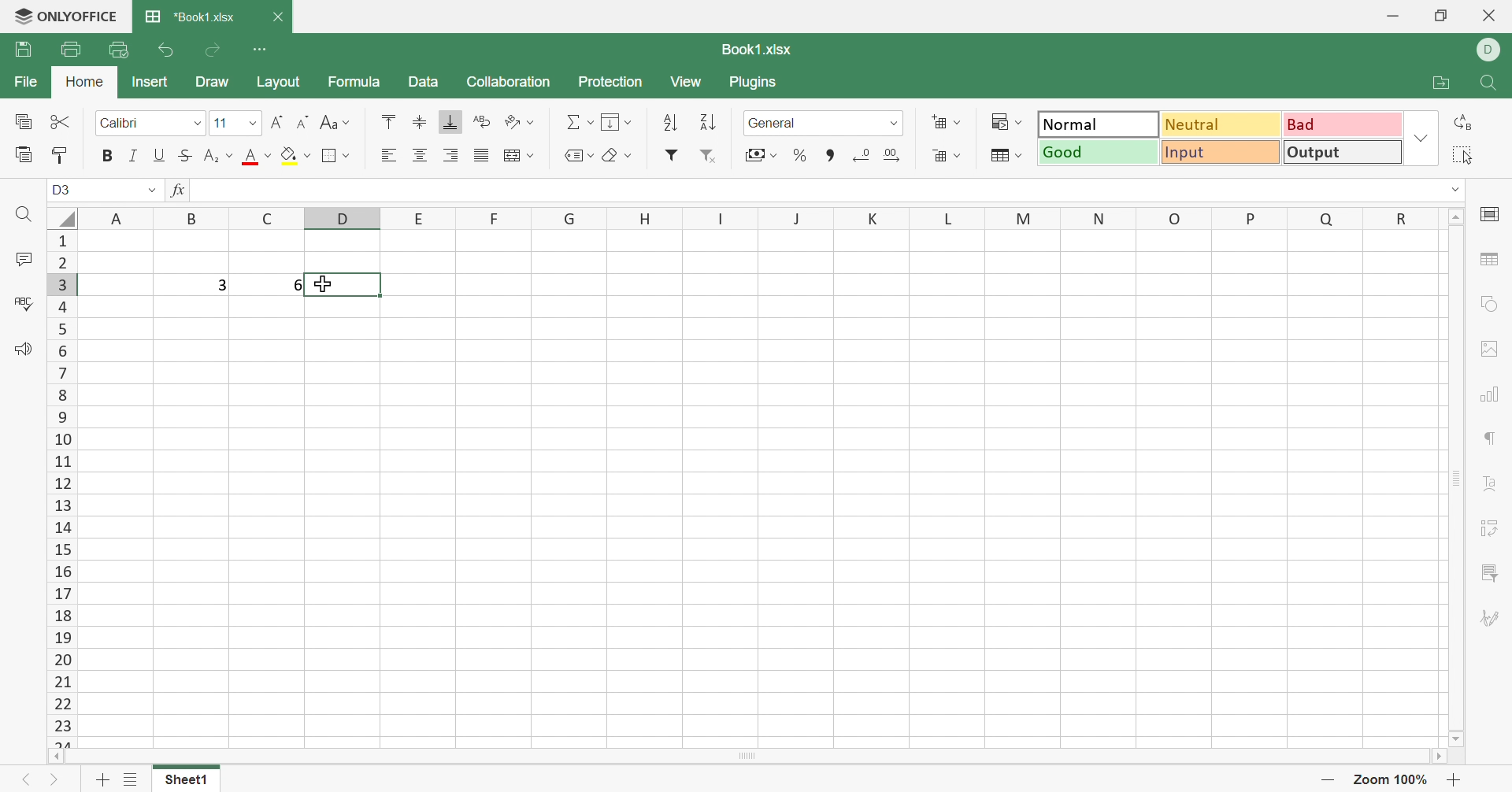 Image resolution: width=1512 pixels, height=792 pixels. What do you see at coordinates (755, 48) in the screenshot?
I see `Book1.xlsx` at bounding box center [755, 48].